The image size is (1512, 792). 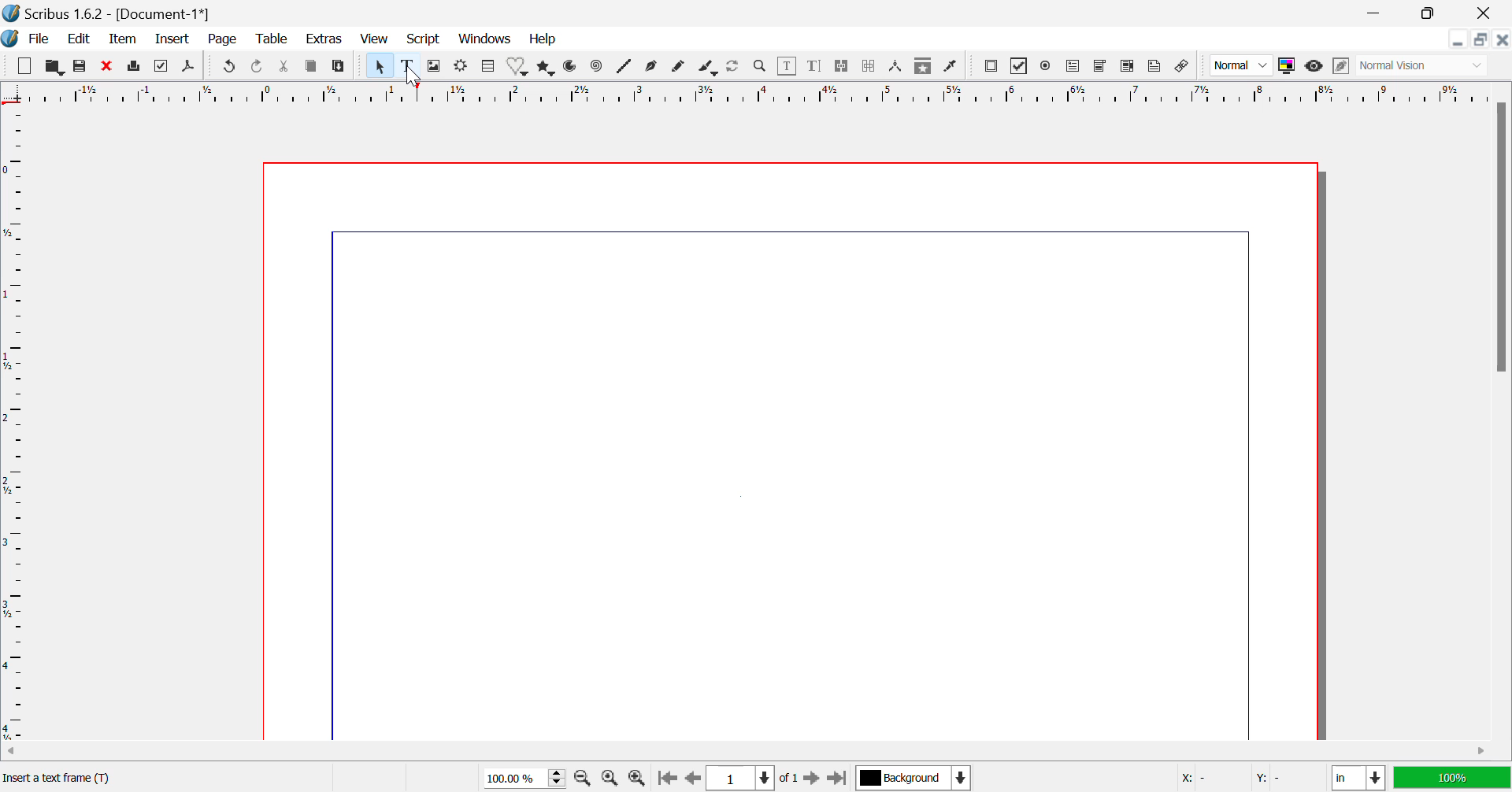 I want to click on Link Text Frames, so click(x=839, y=68).